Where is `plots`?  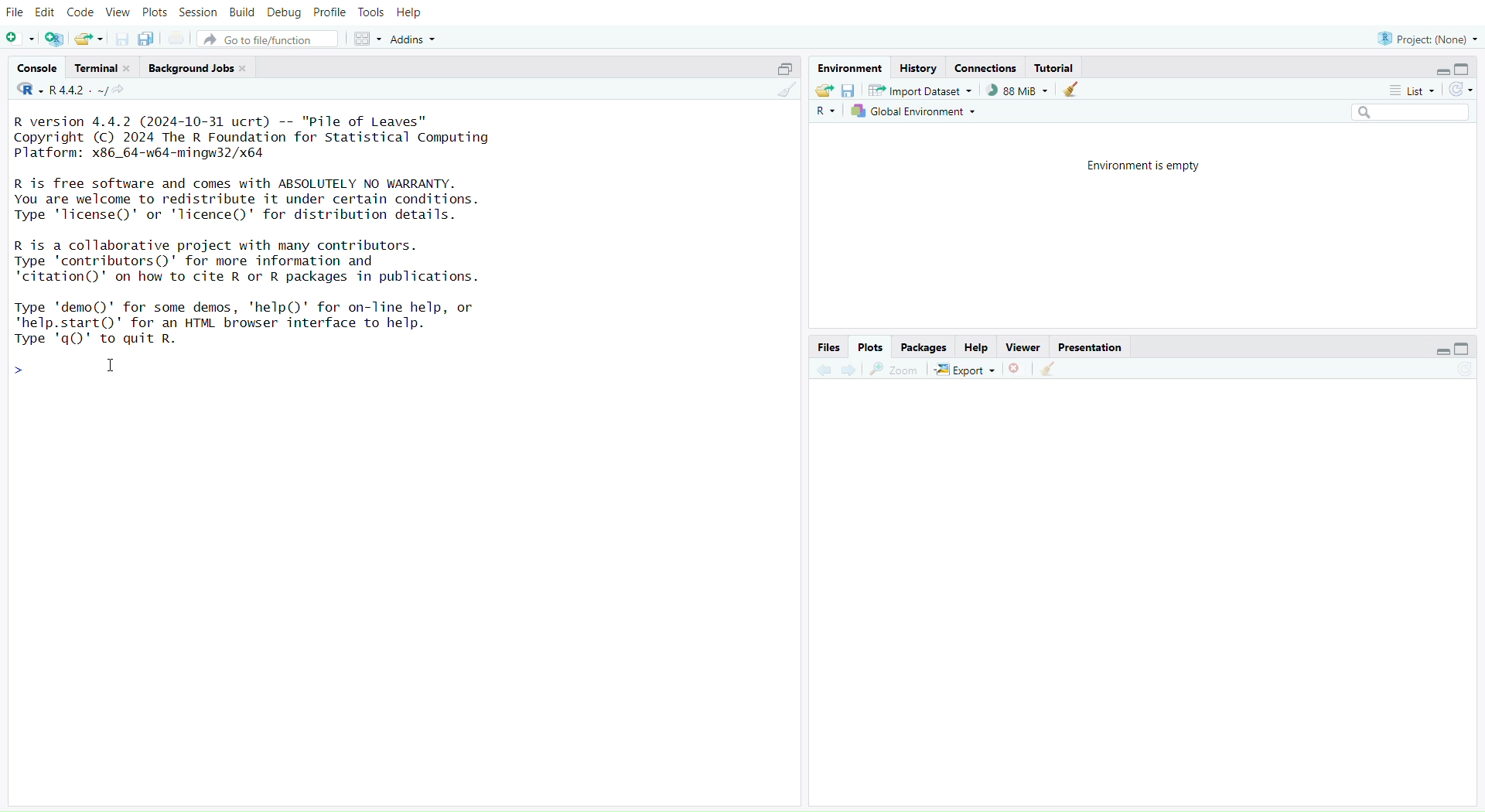
plots is located at coordinates (873, 346).